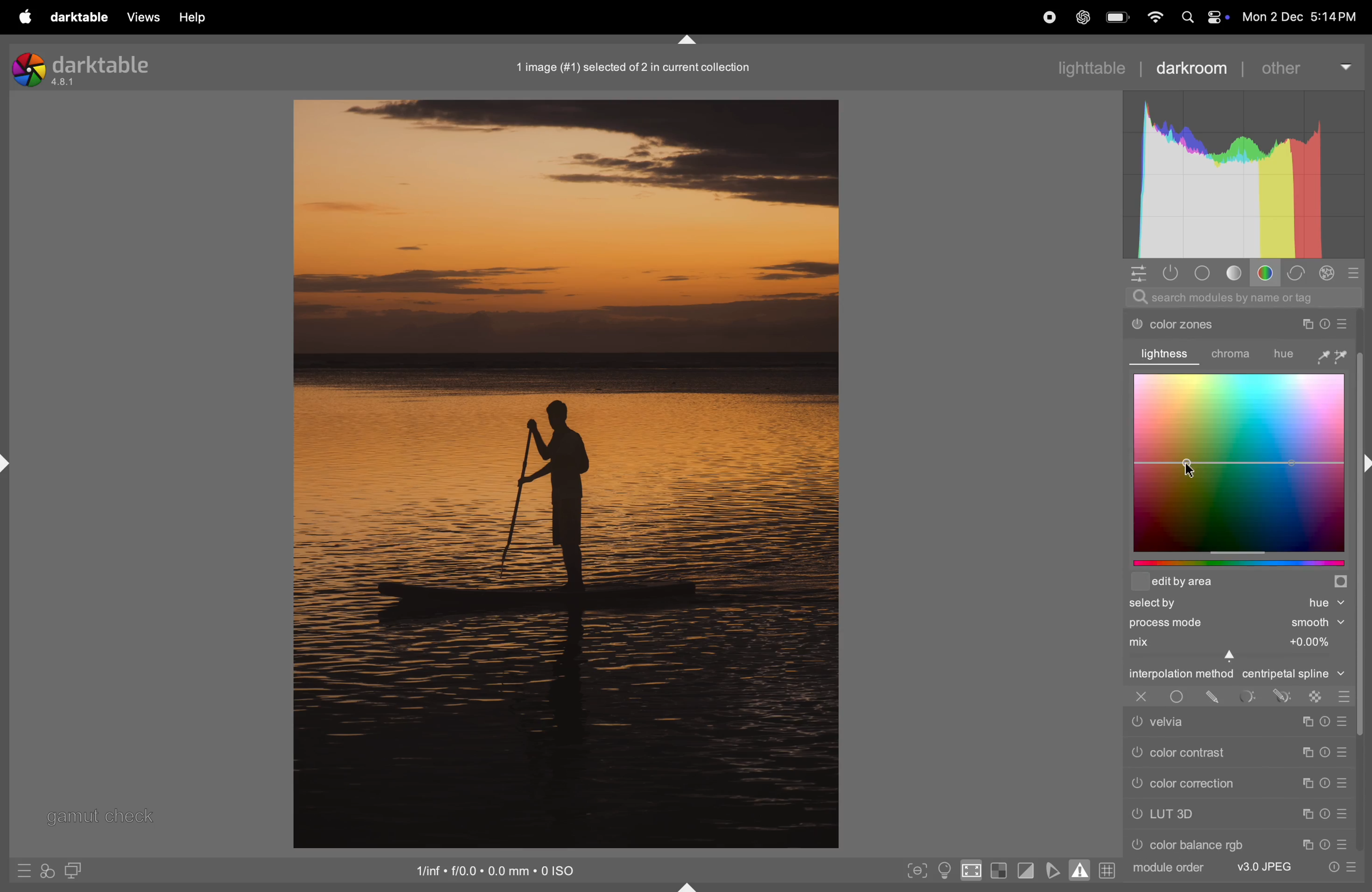 This screenshot has height=892, width=1372. I want to click on Timer, so click(1325, 721).